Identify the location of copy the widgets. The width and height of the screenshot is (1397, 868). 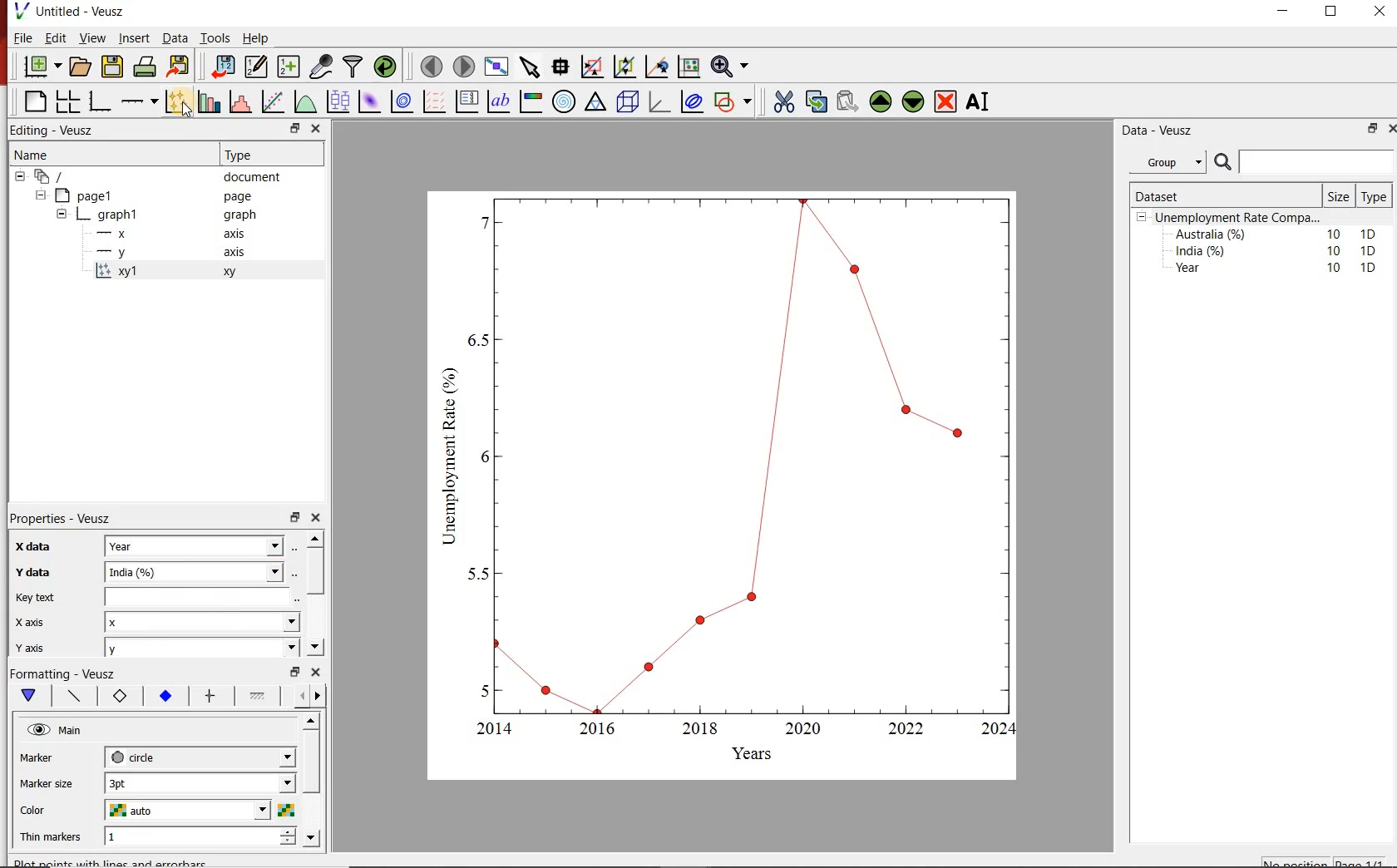
(815, 101).